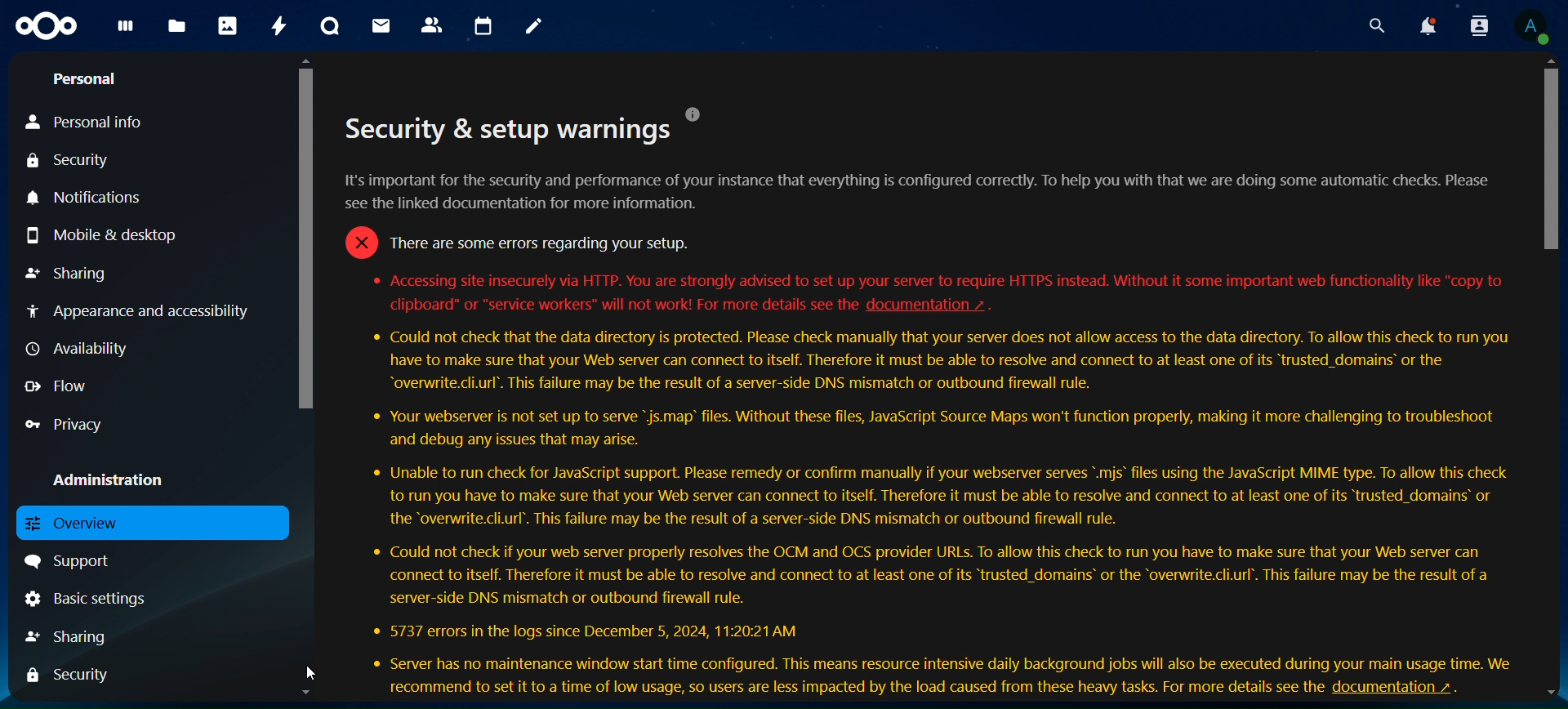  What do you see at coordinates (617, 304) in the screenshot?
I see `text` at bounding box center [617, 304].